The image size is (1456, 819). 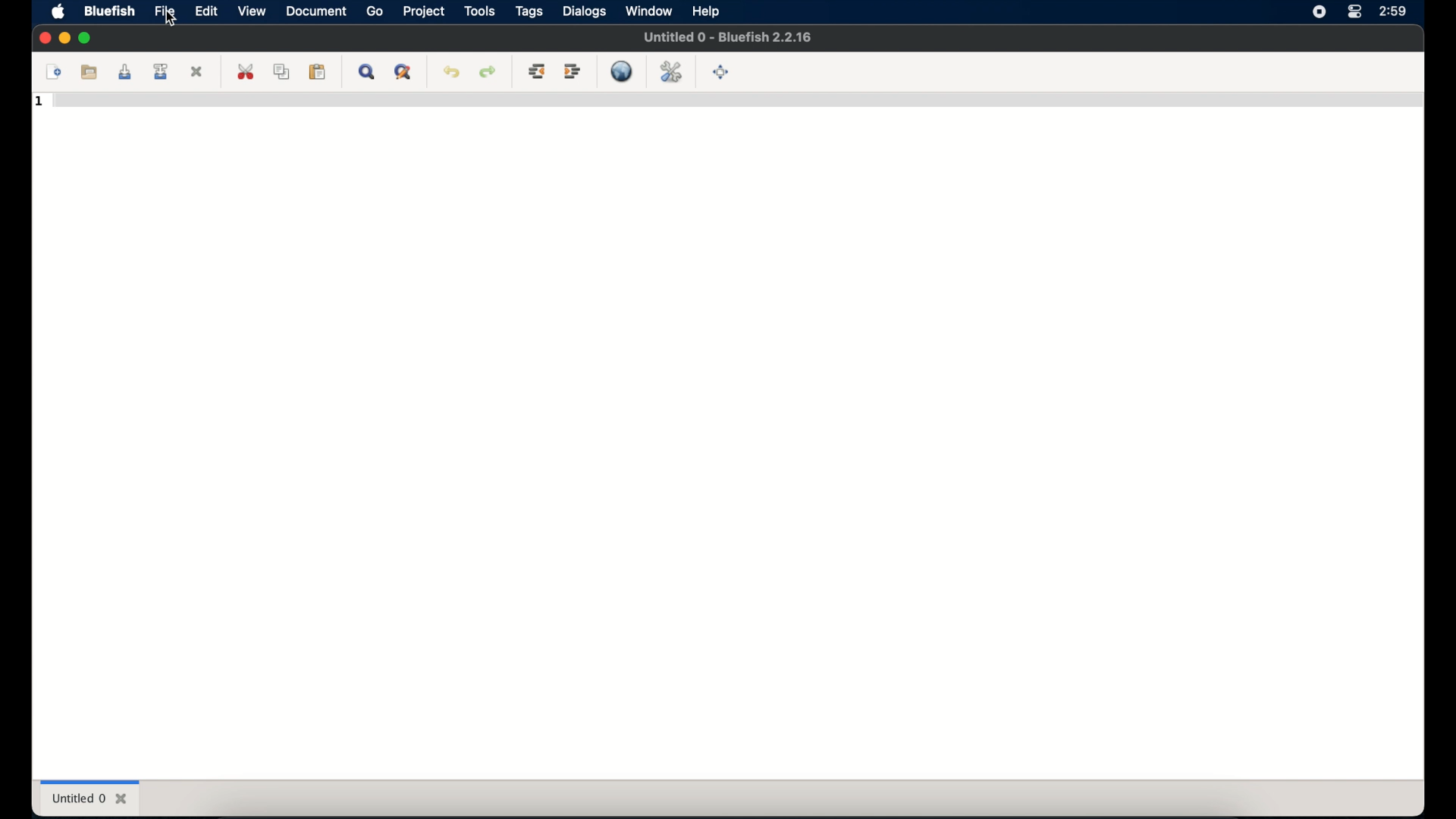 What do you see at coordinates (585, 11) in the screenshot?
I see `dialogs` at bounding box center [585, 11].